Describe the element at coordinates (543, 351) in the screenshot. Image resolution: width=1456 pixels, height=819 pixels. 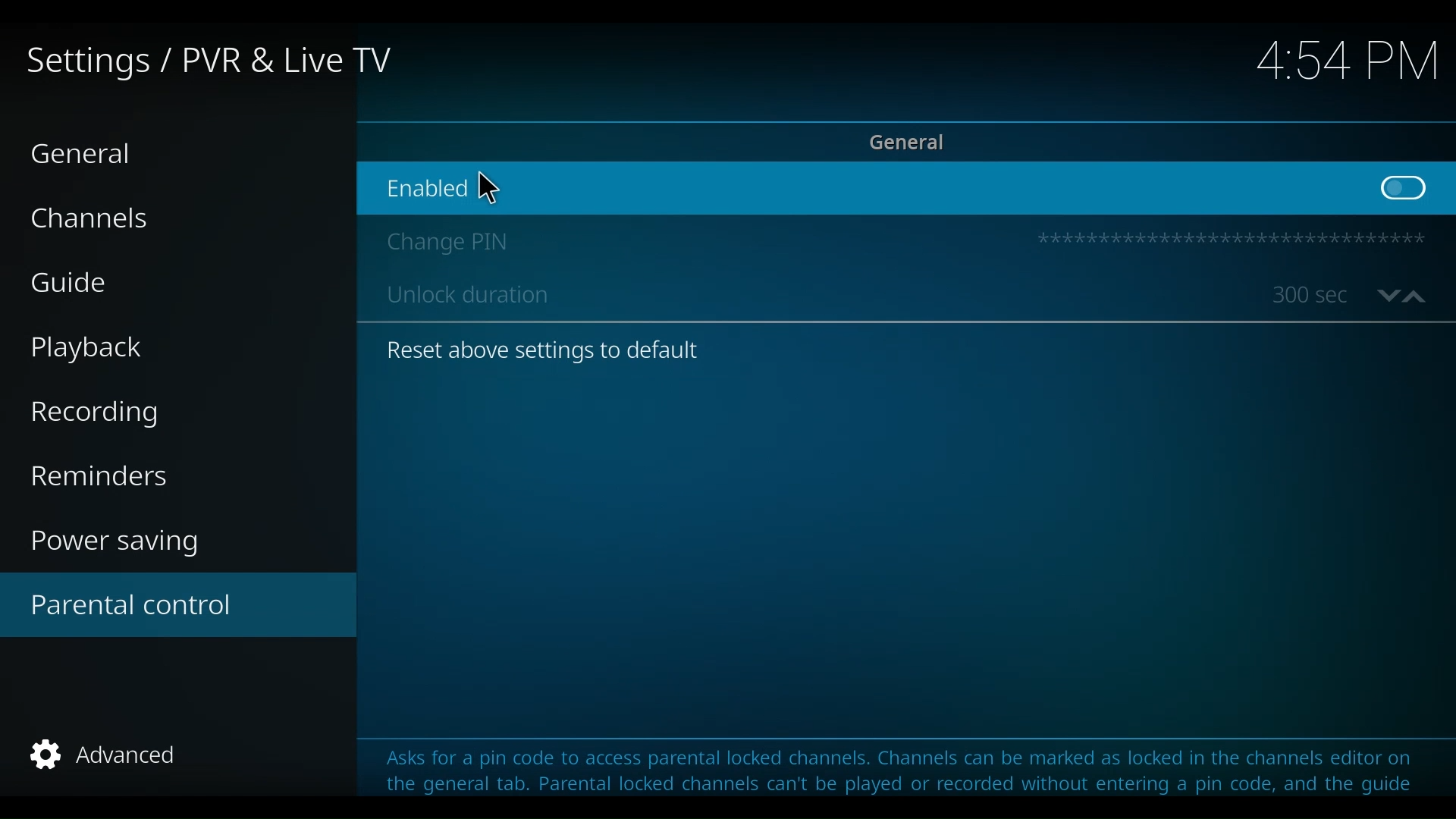
I see `Reset above settings to default` at that location.